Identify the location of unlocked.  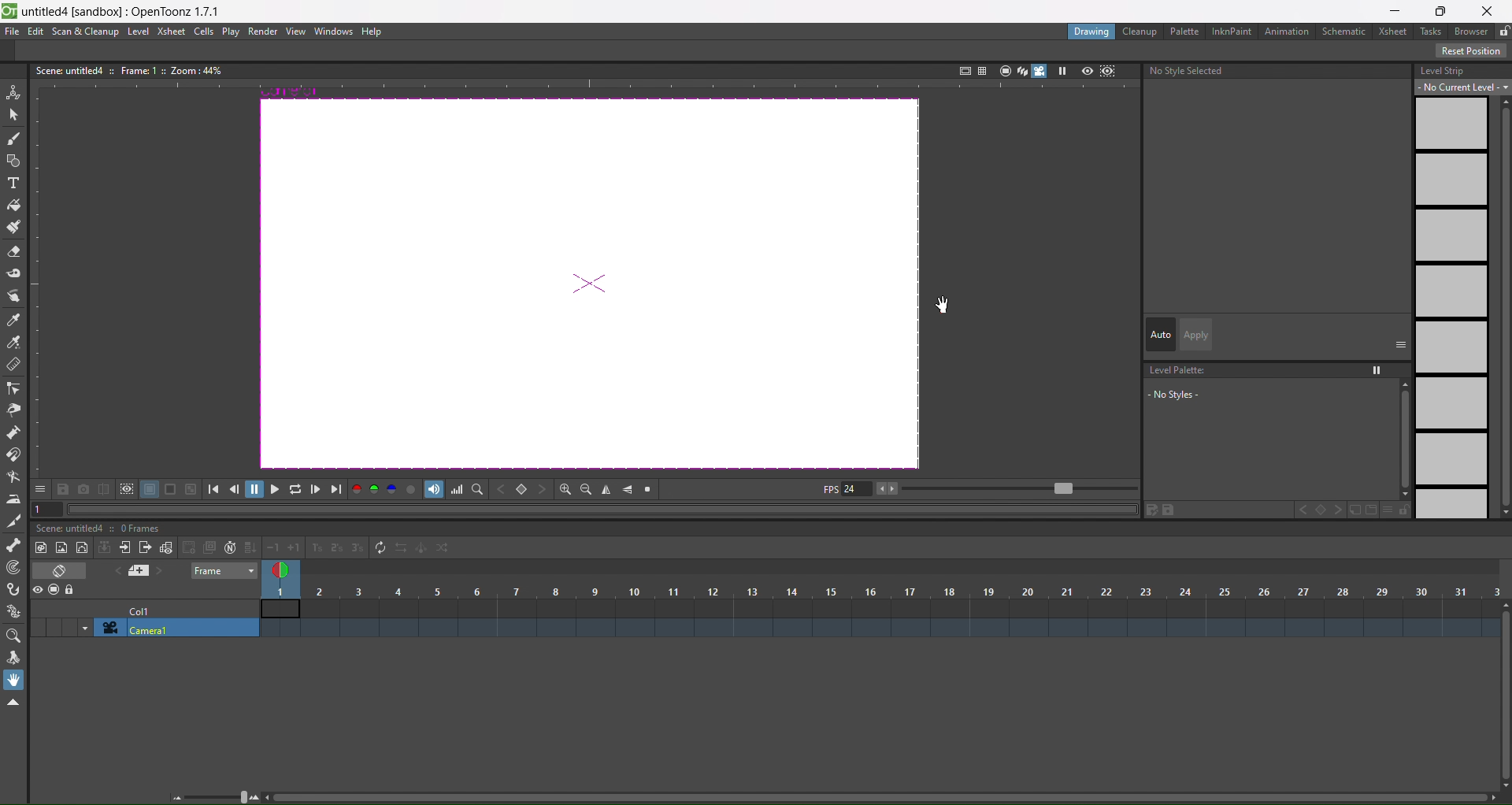
(1503, 29).